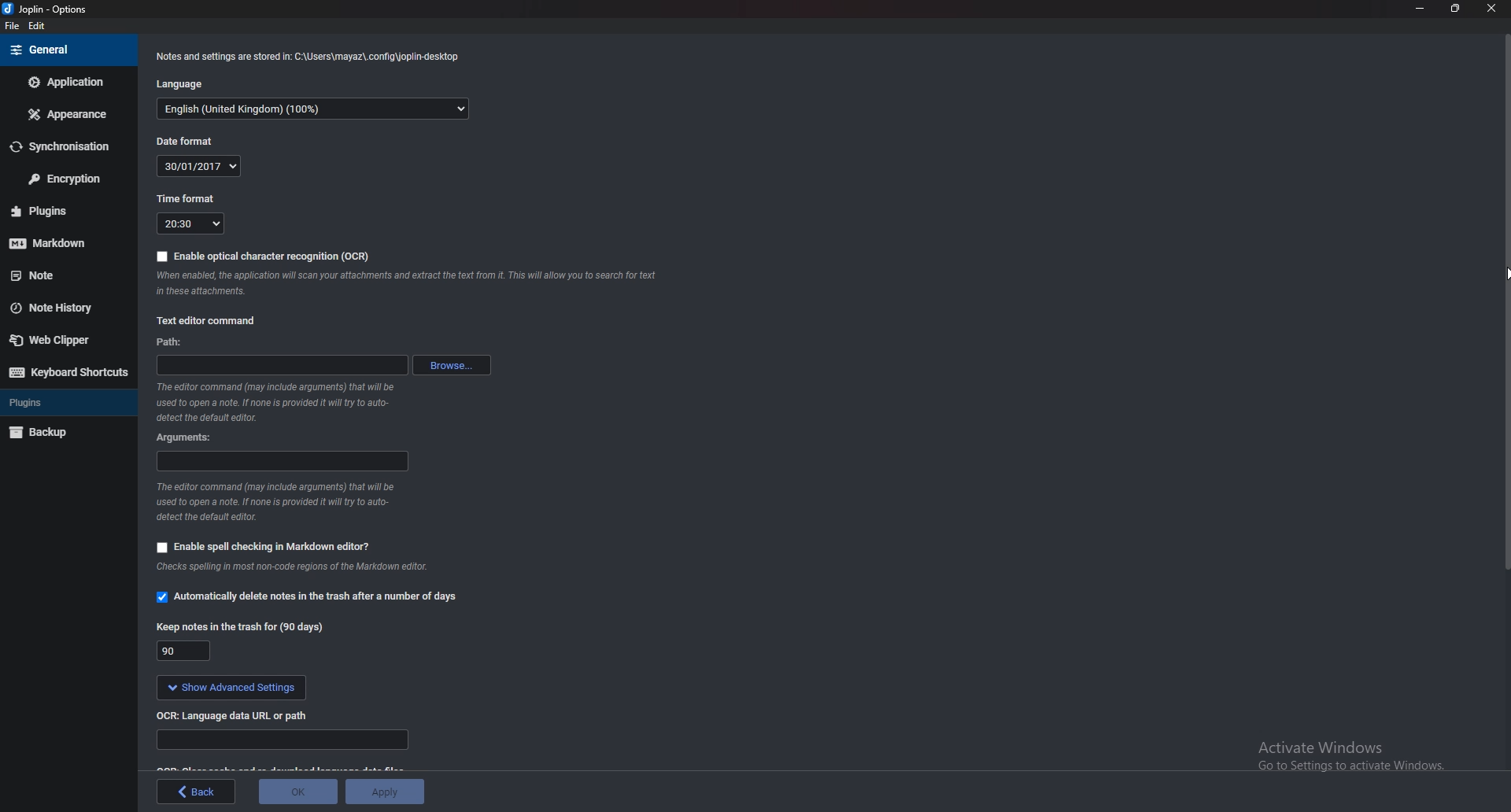  What do you see at coordinates (1339, 758) in the screenshot?
I see `activate windows` at bounding box center [1339, 758].